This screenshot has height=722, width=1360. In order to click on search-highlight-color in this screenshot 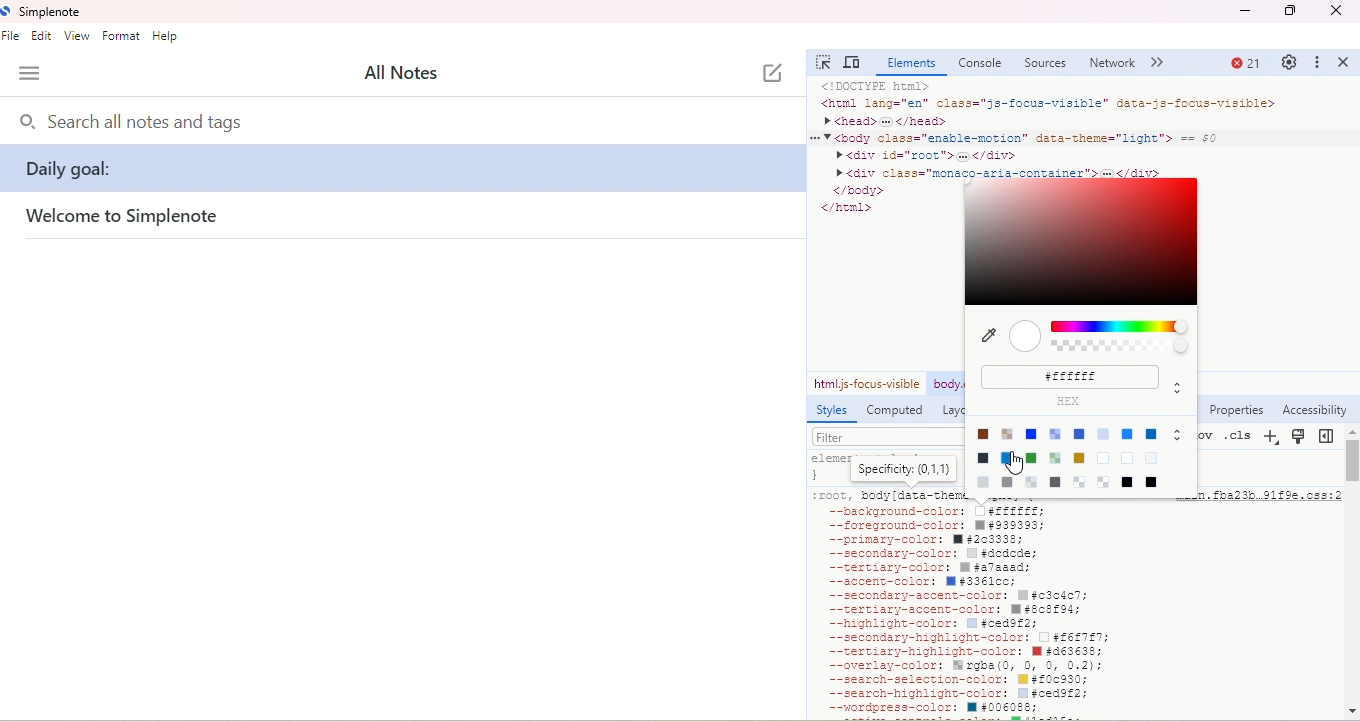, I will do `click(959, 695)`.